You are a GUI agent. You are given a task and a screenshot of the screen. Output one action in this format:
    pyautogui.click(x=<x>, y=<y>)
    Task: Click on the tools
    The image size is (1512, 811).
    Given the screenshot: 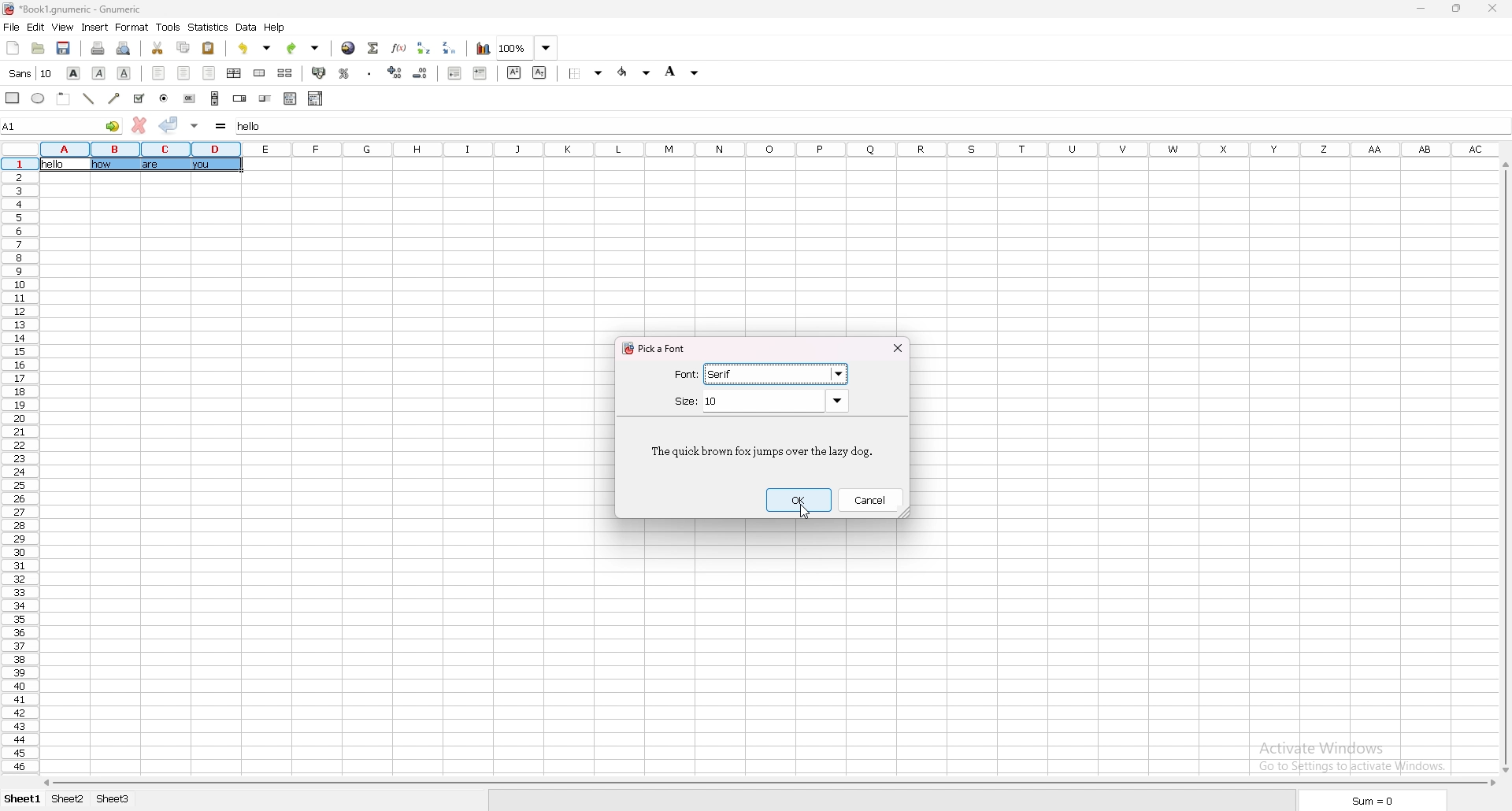 What is the action you would take?
    pyautogui.click(x=169, y=27)
    